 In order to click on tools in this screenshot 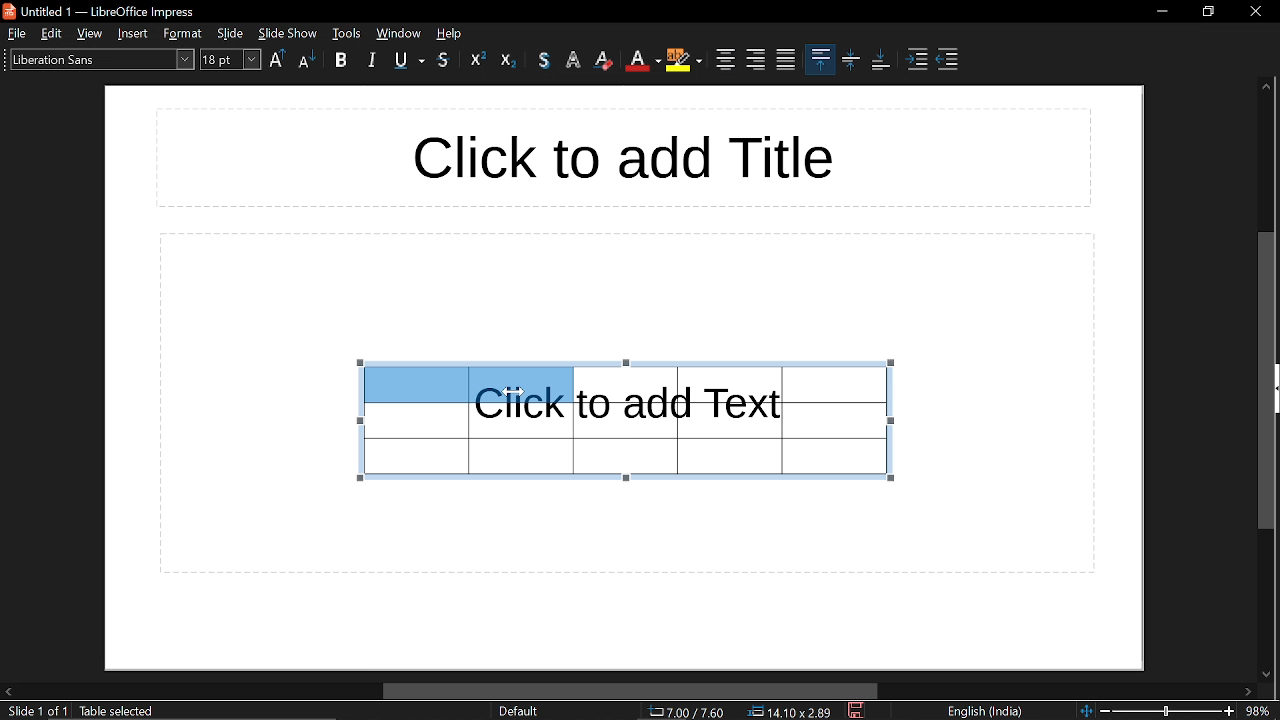, I will do `click(398, 33)`.